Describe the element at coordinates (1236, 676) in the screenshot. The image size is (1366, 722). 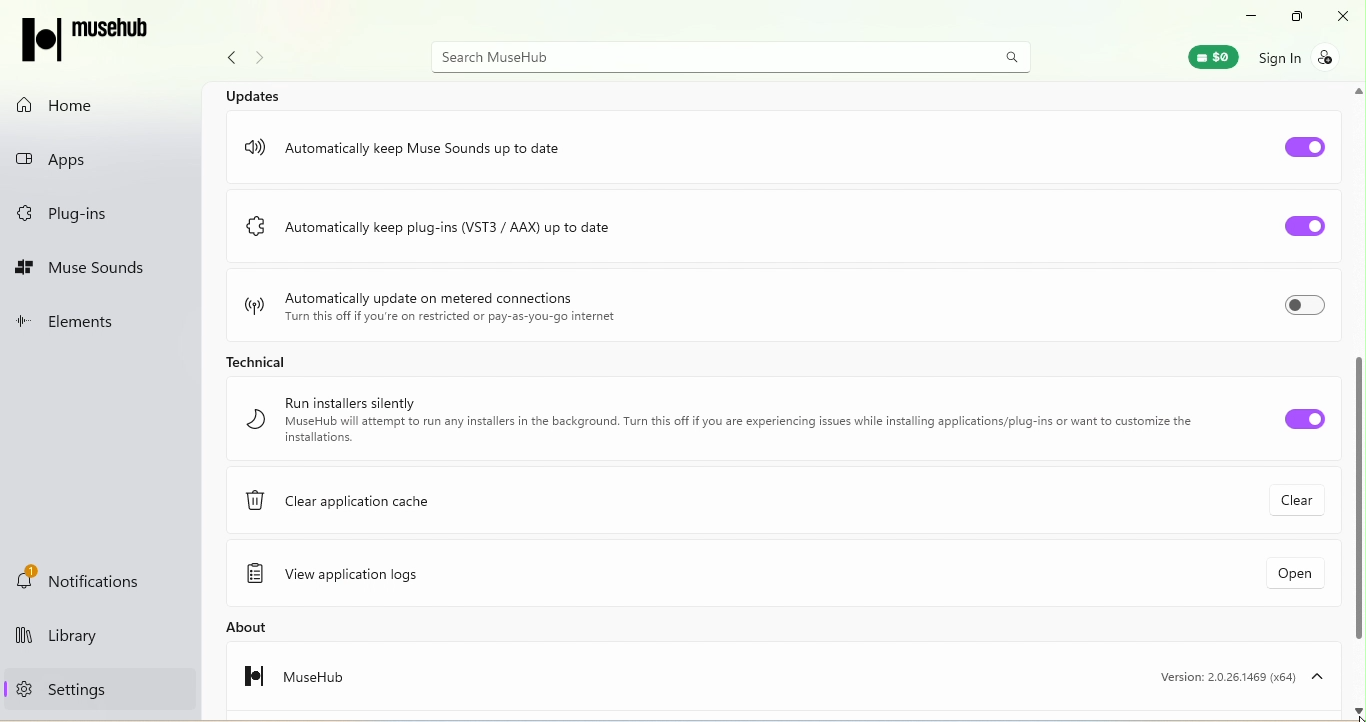
I see `Version: 20261469 (x64) ` at that location.